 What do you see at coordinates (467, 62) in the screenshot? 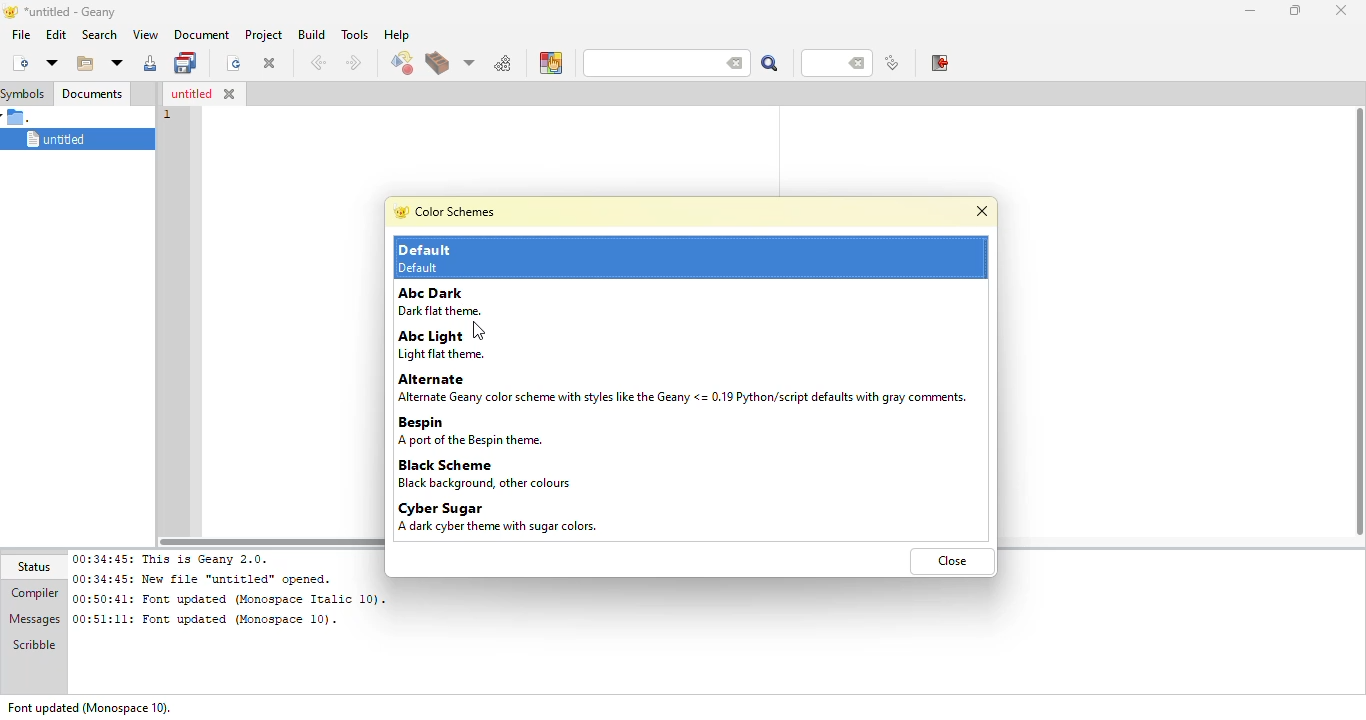
I see `choose more` at bounding box center [467, 62].